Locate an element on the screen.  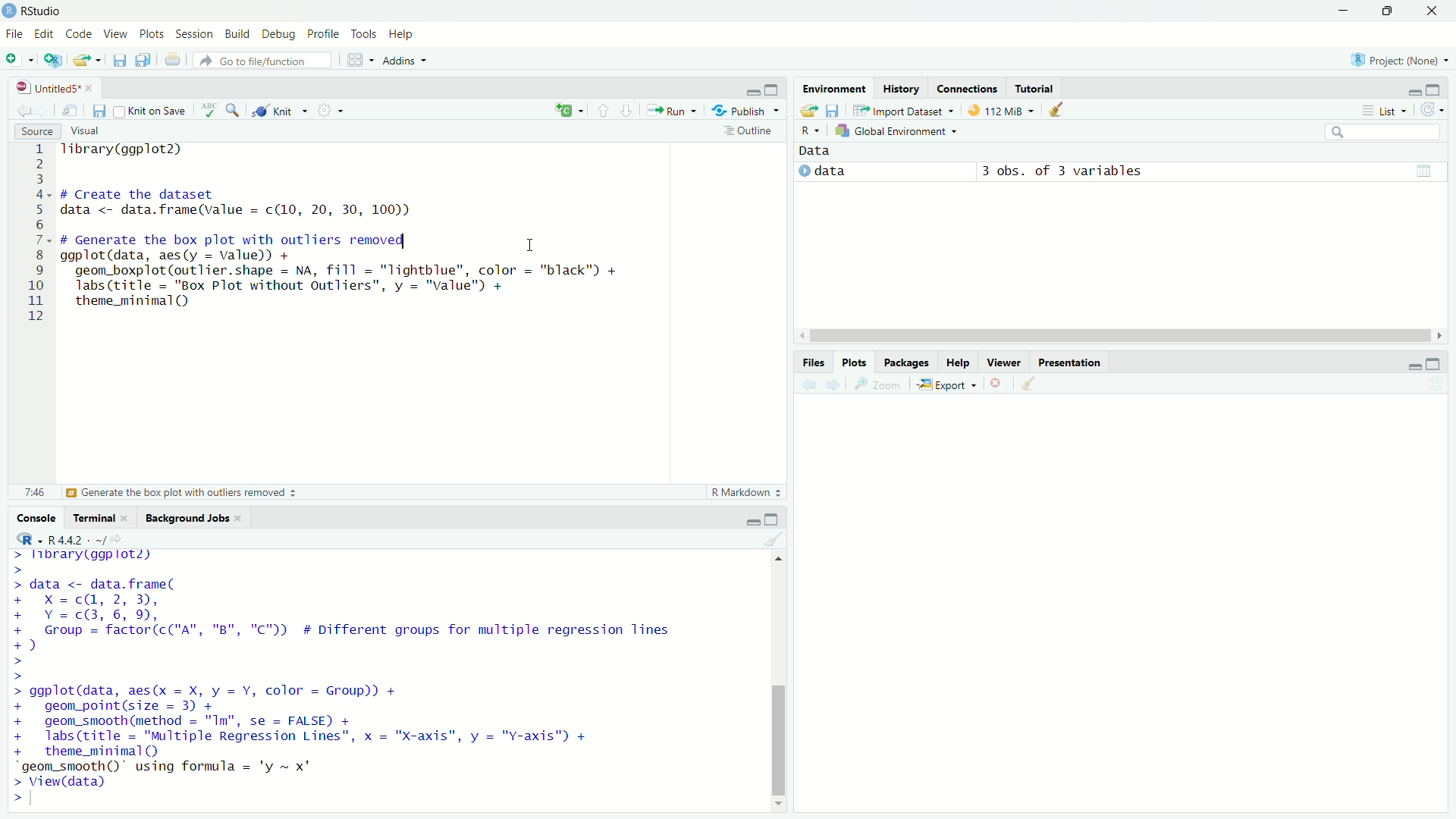
Source is located at coordinates (38, 130).